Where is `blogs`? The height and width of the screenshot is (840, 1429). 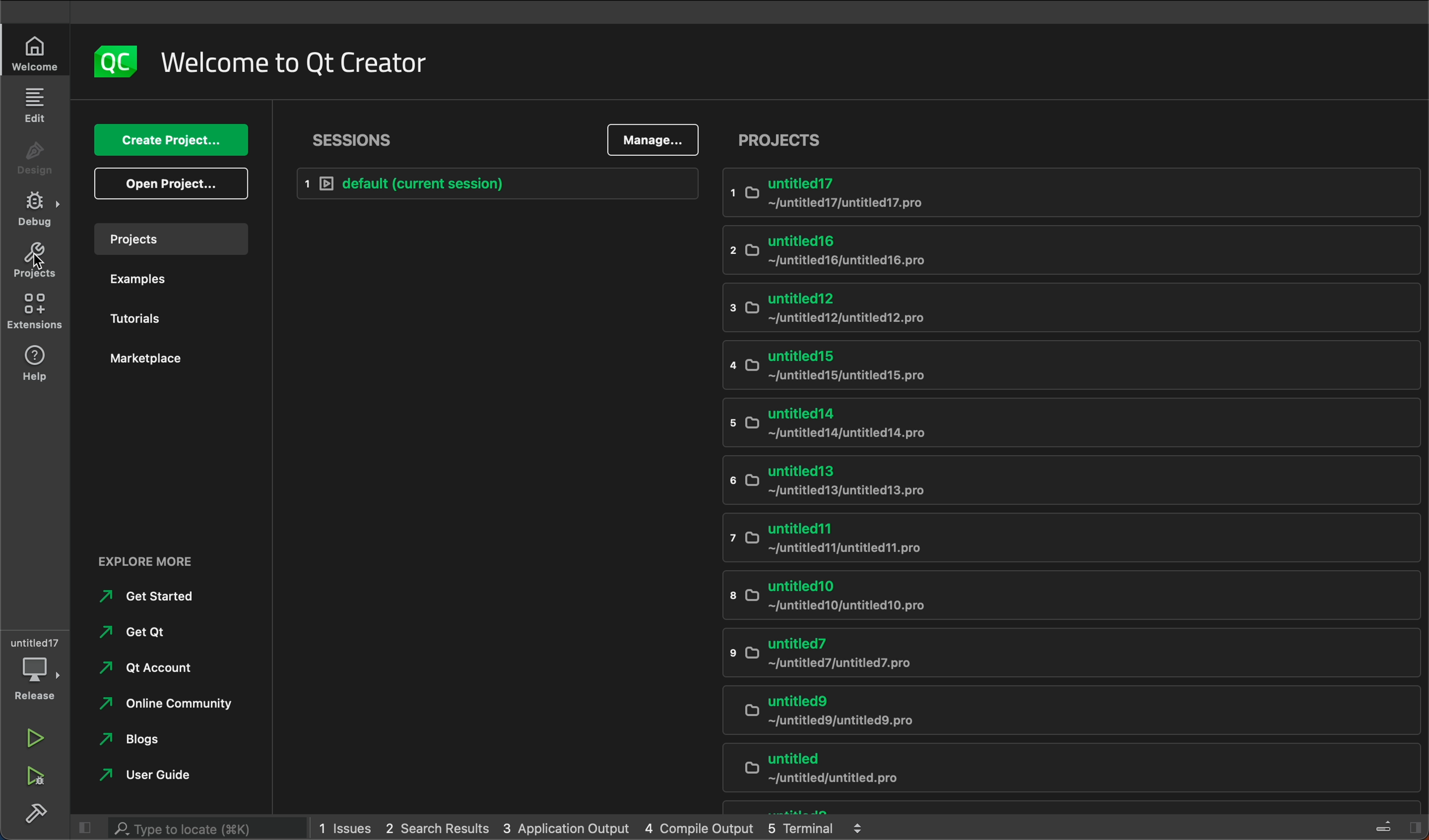 blogs is located at coordinates (137, 740).